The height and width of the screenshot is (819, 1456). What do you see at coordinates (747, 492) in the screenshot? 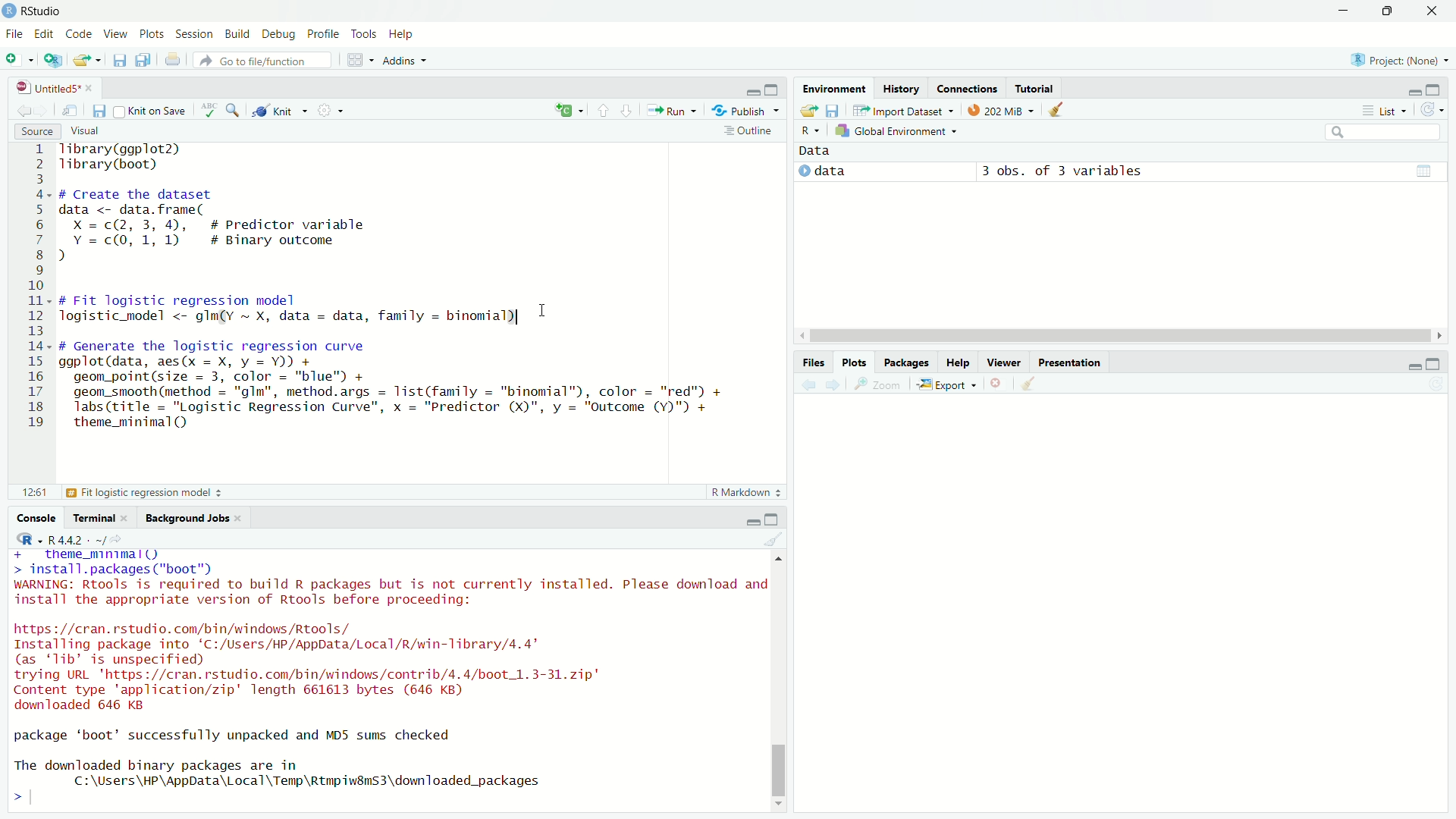
I see `R Markdown` at bounding box center [747, 492].